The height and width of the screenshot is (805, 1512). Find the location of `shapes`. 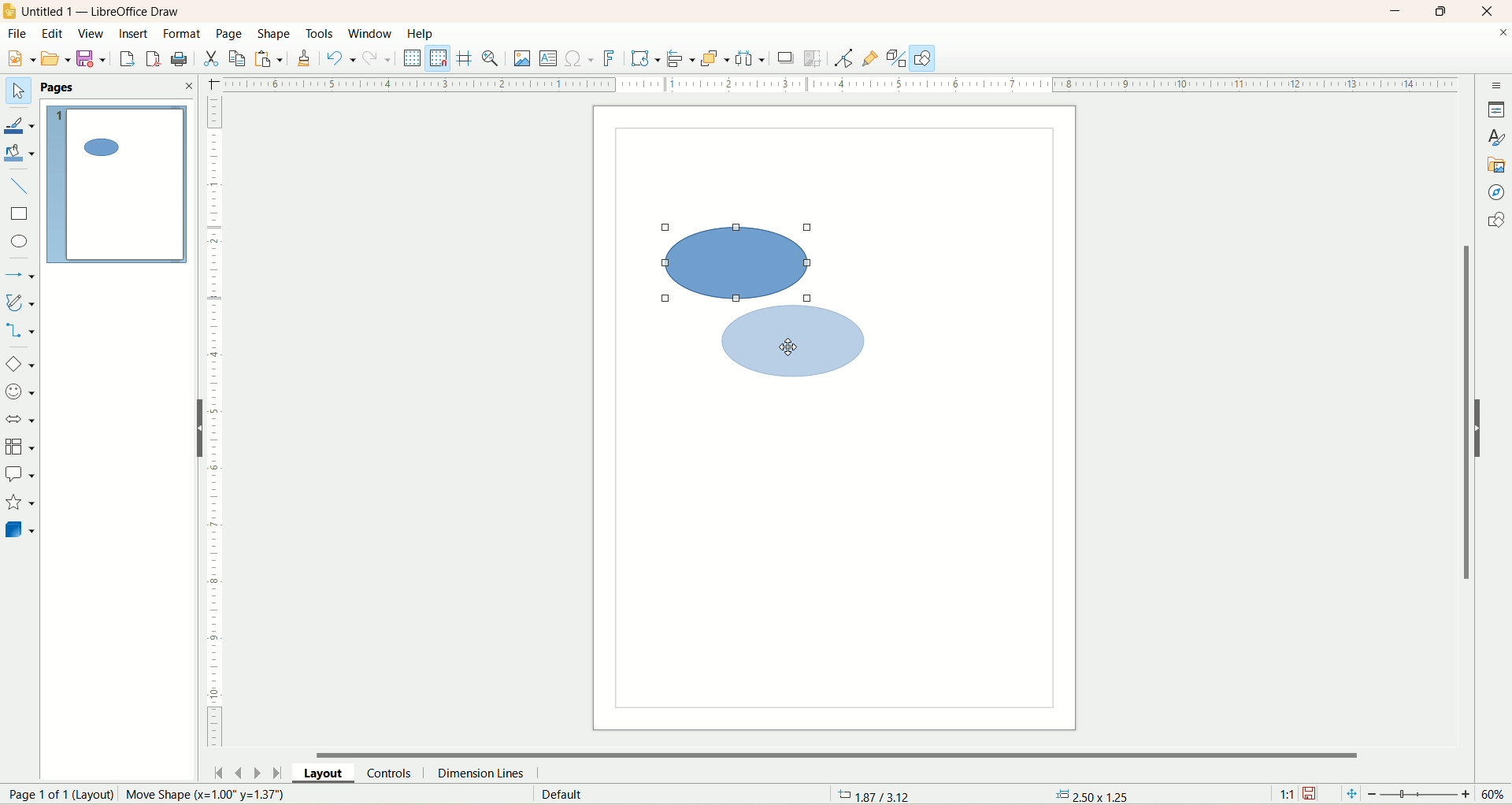

shapes is located at coordinates (1494, 220).